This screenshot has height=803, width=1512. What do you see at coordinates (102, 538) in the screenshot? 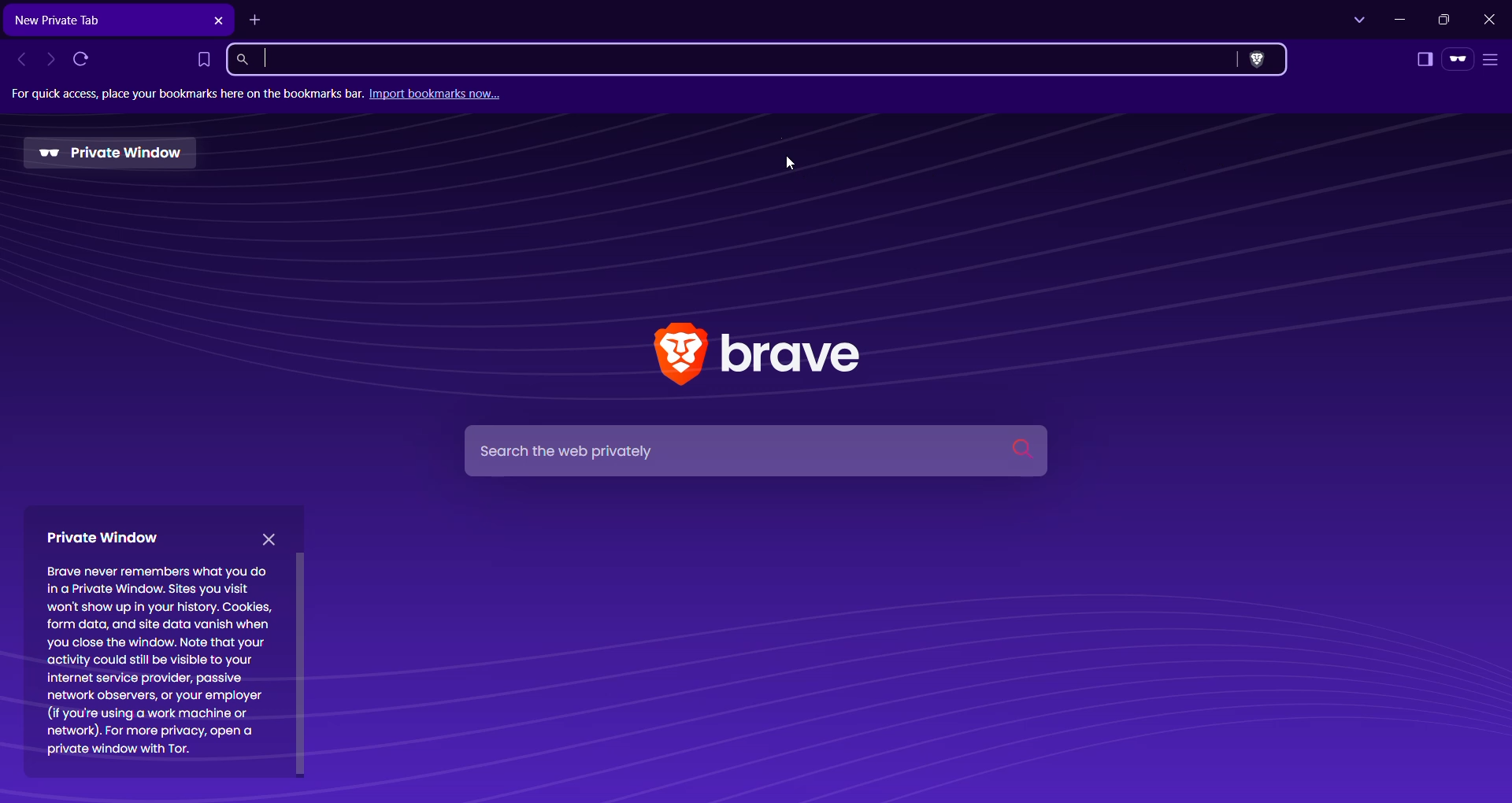
I see `Private Window` at bounding box center [102, 538].